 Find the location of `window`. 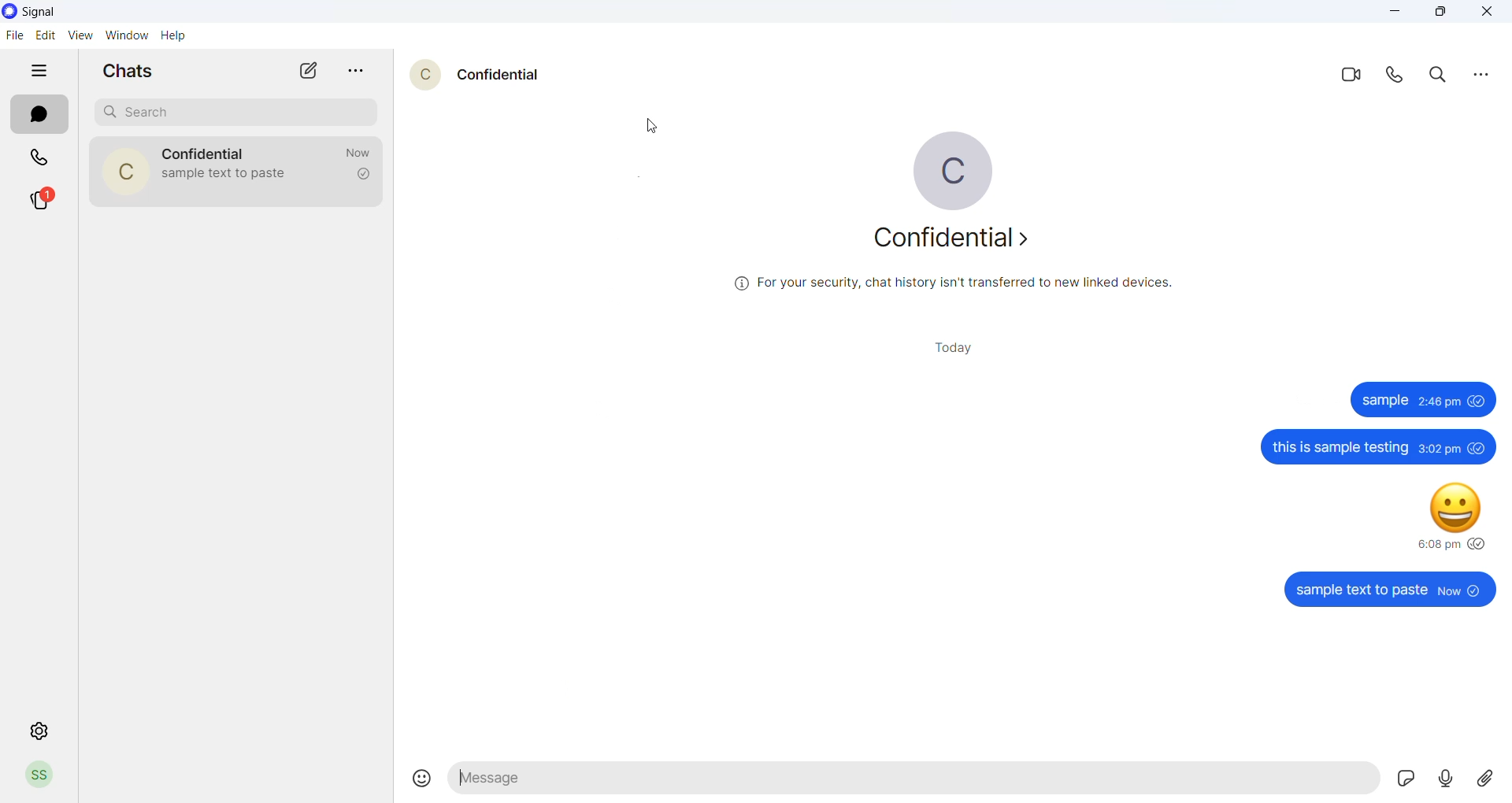

window is located at coordinates (129, 35).